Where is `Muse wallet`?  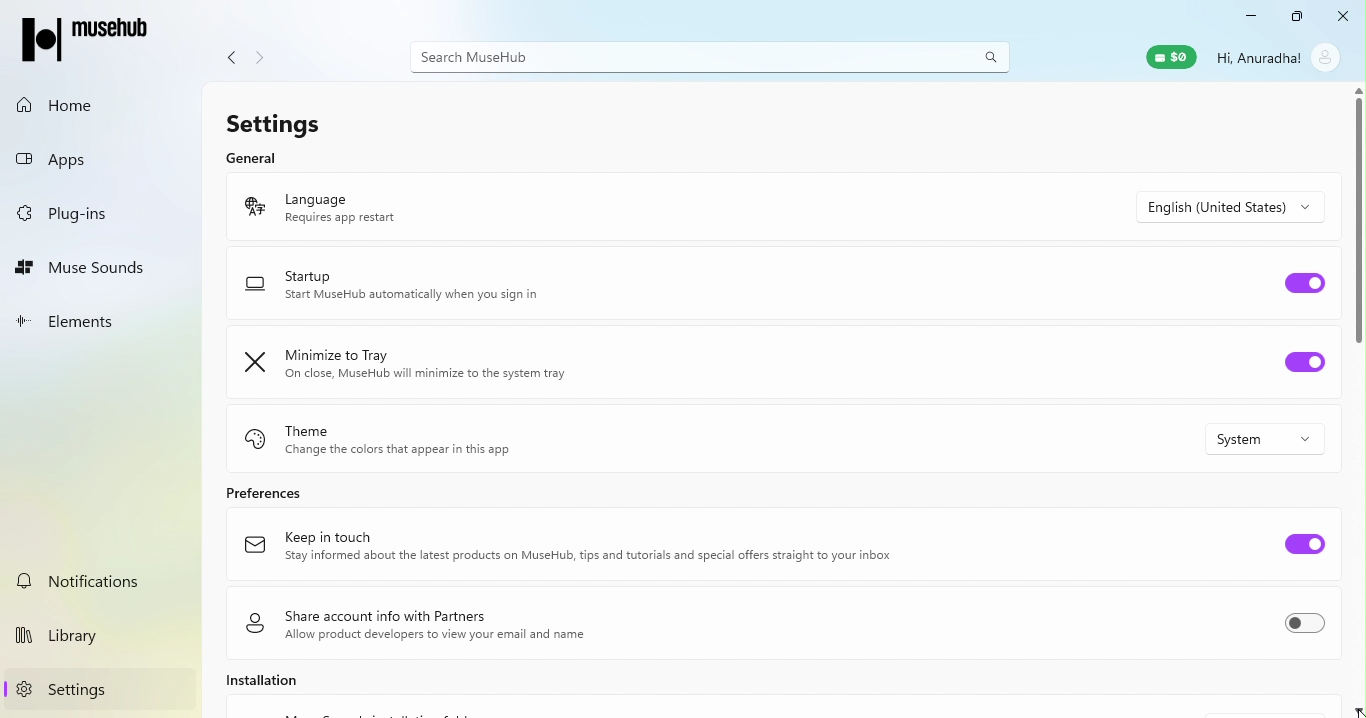
Muse wallet is located at coordinates (1168, 57).